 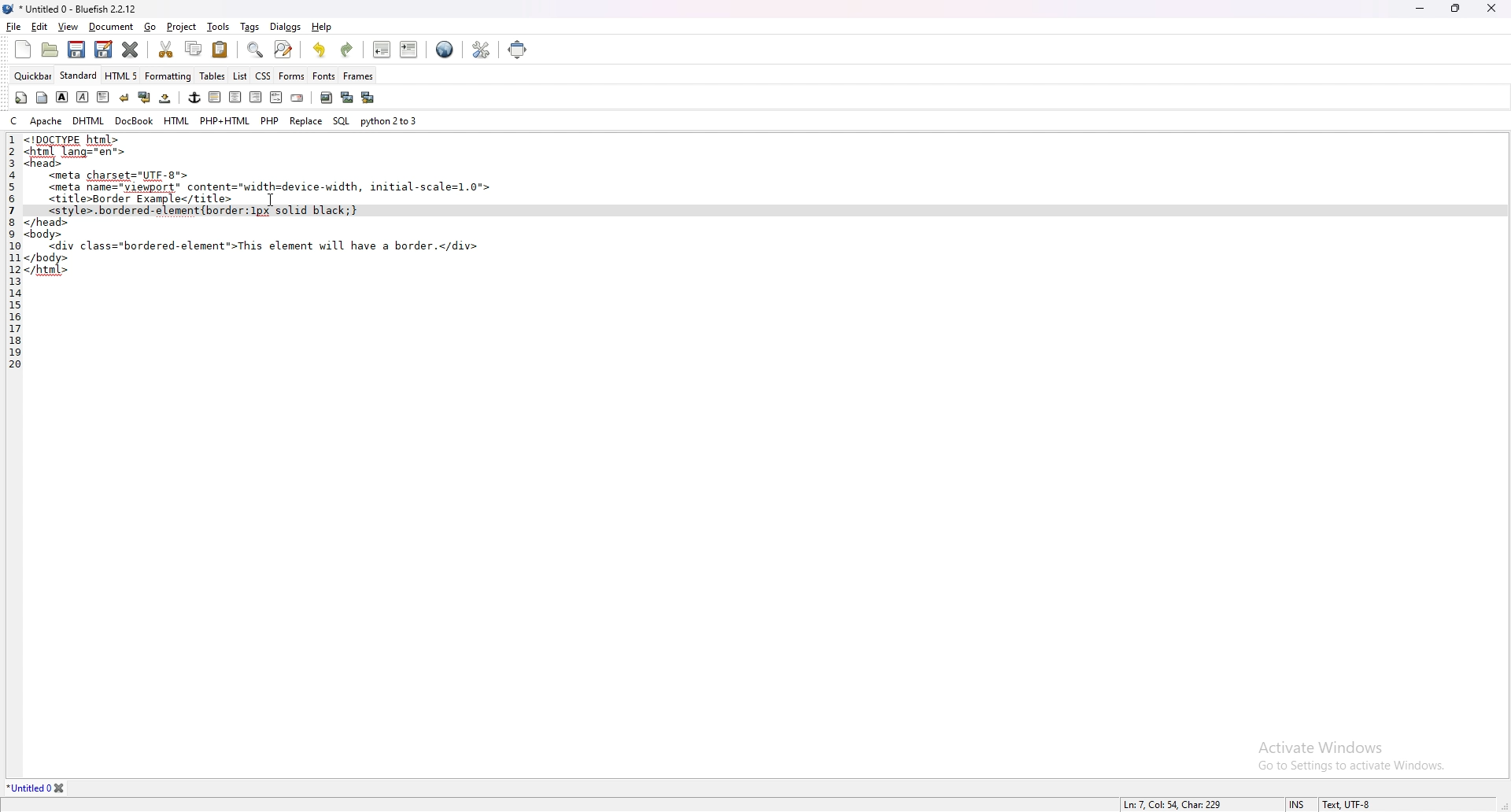 I want to click on 1 2 3 4 5 6 7 8 9 10 11 12 13 14 15 16 17 18 19 20, so click(x=11, y=254).